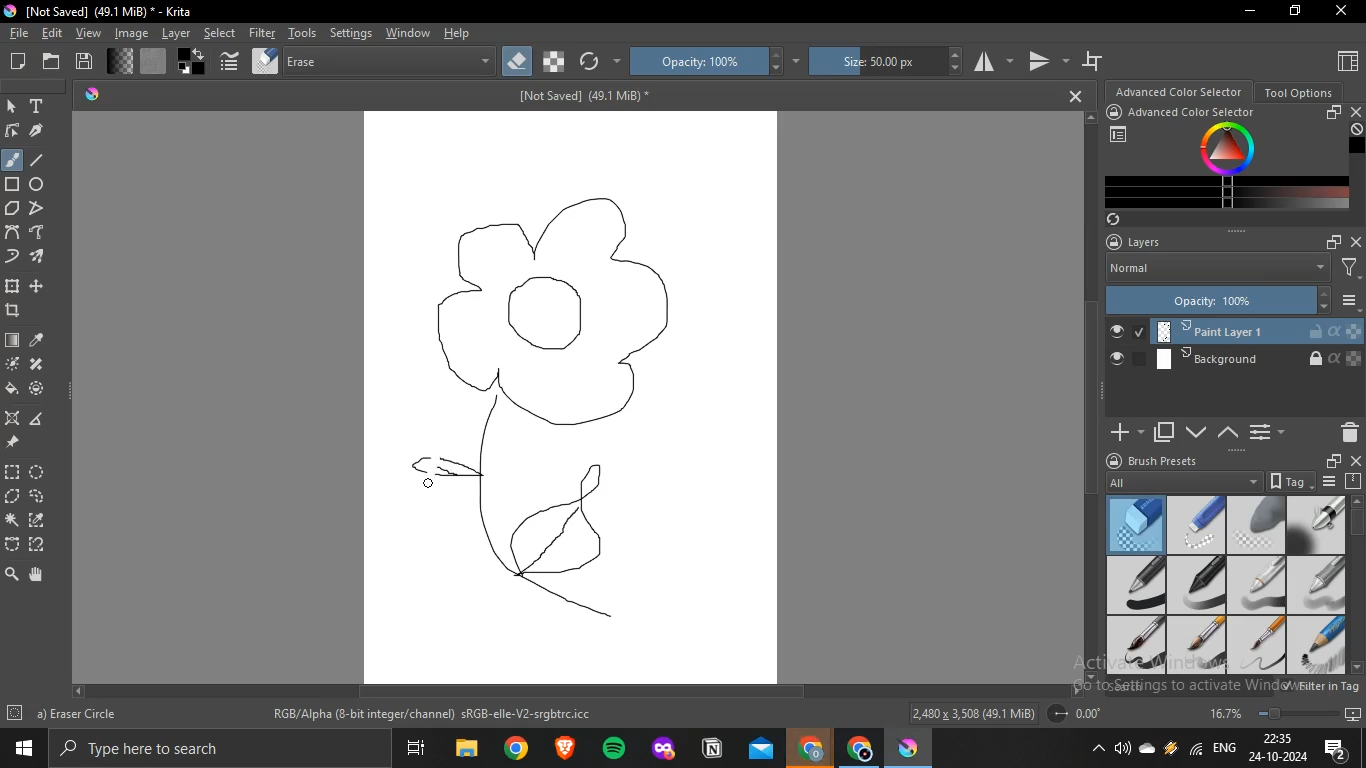 The height and width of the screenshot is (768, 1366). Describe the element at coordinates (761, 749) in the screenshot. I see `Application` at that location.